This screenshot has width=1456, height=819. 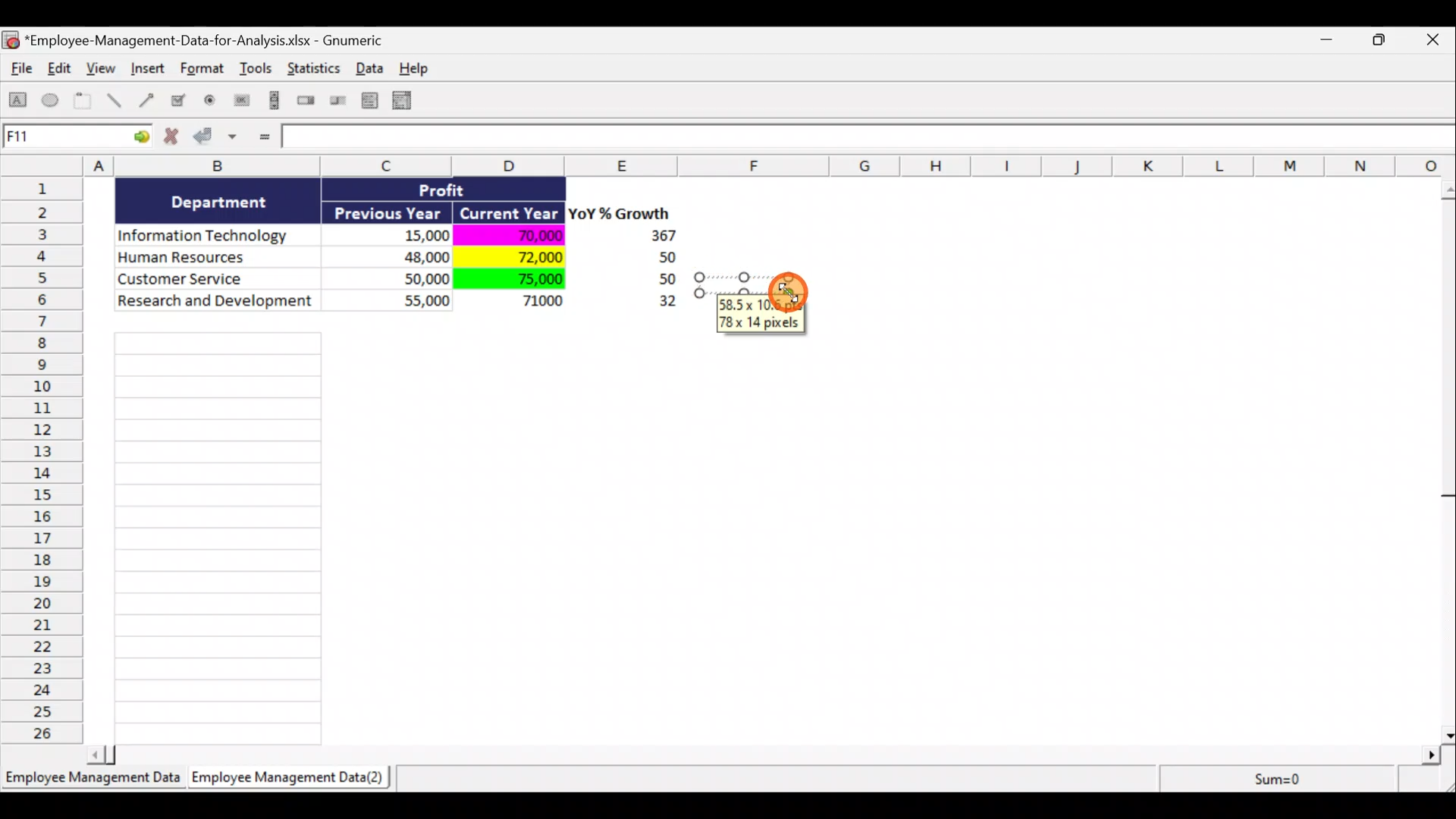 What do you see at coordinates (18, 71) in the screenshot?
I see `File` at bounding box center [18, 71].